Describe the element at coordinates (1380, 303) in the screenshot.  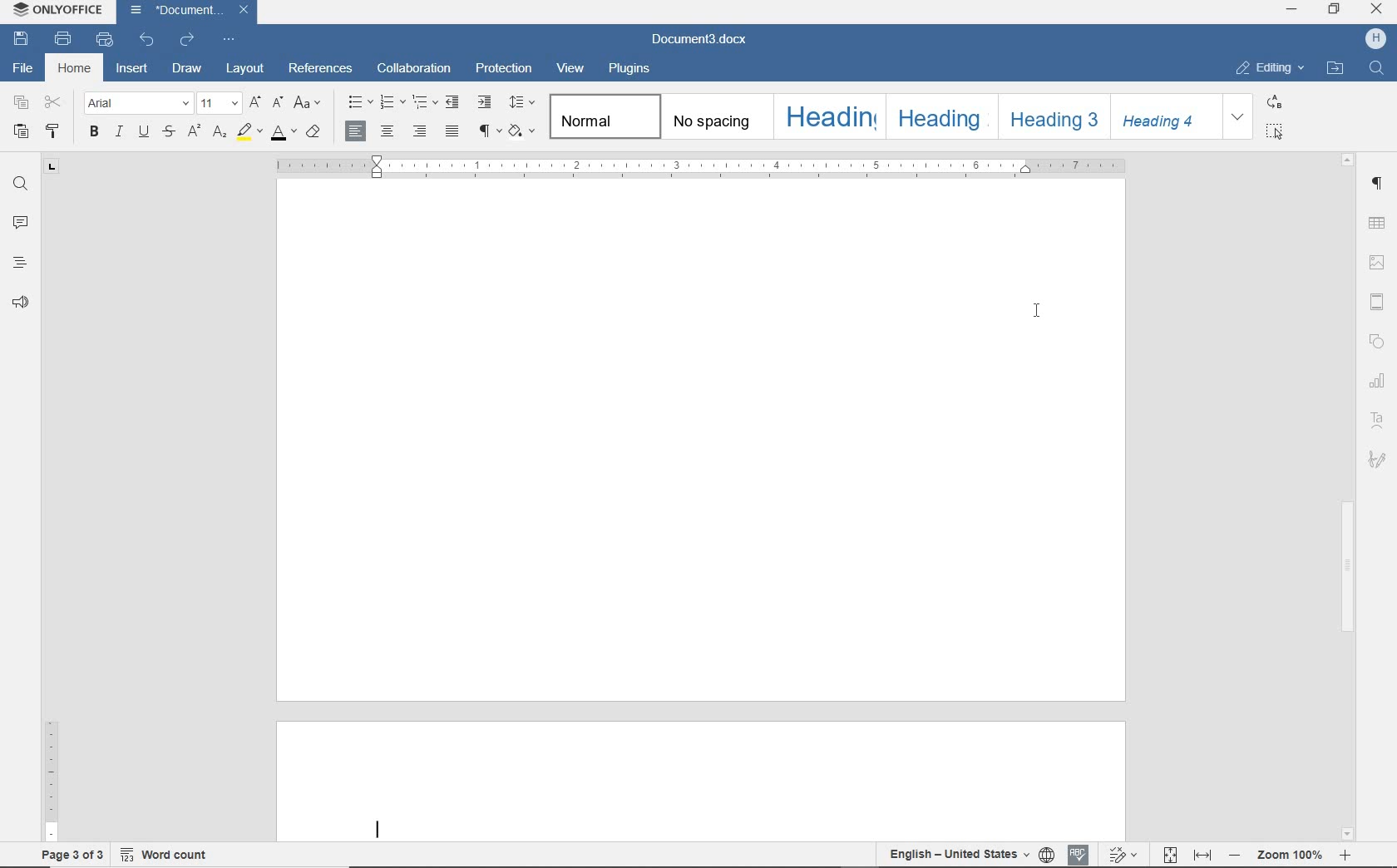
I see `HEADER & FOOTER` at that location.